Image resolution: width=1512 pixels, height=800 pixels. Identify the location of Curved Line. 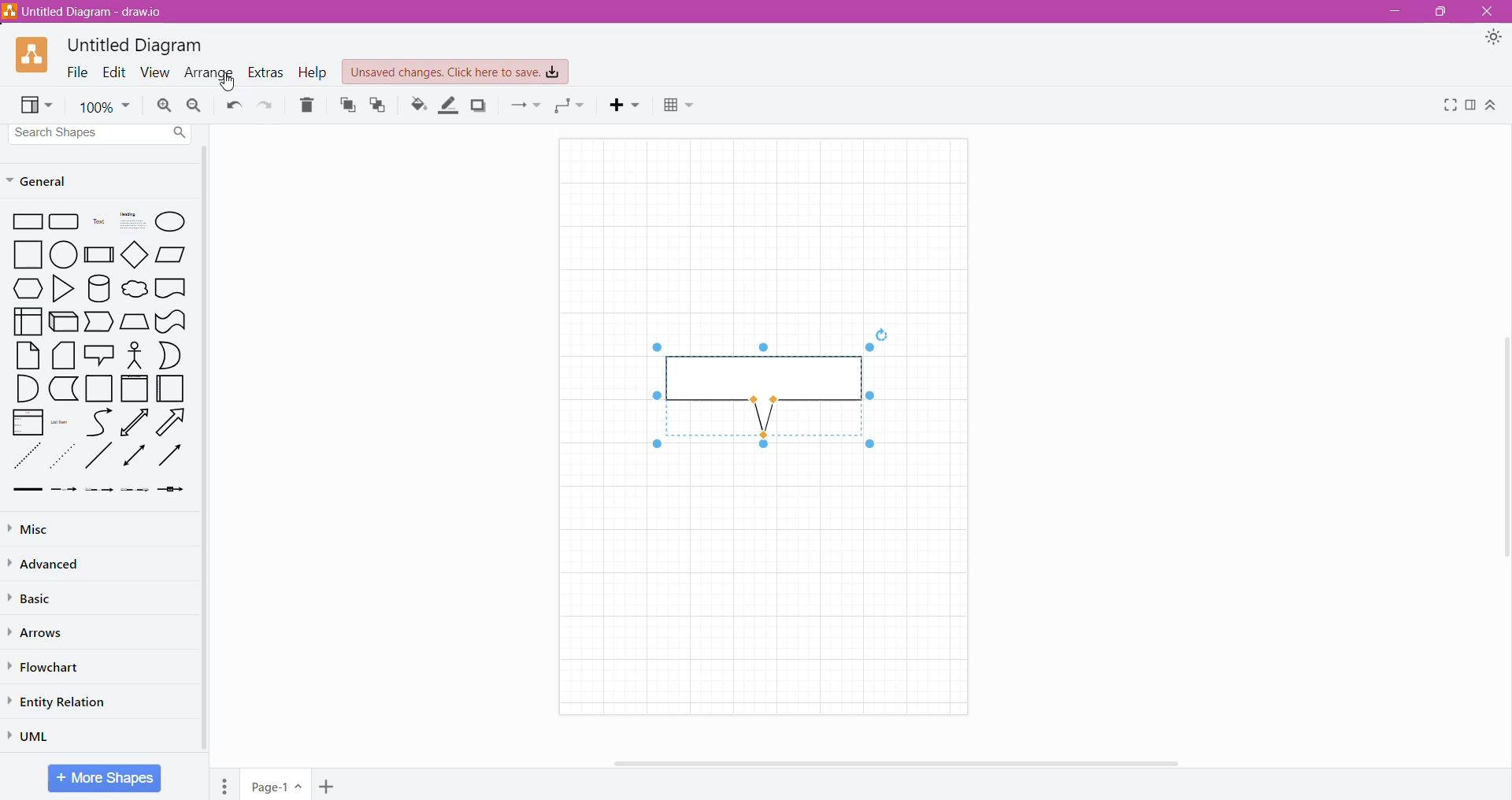
(98, 421).